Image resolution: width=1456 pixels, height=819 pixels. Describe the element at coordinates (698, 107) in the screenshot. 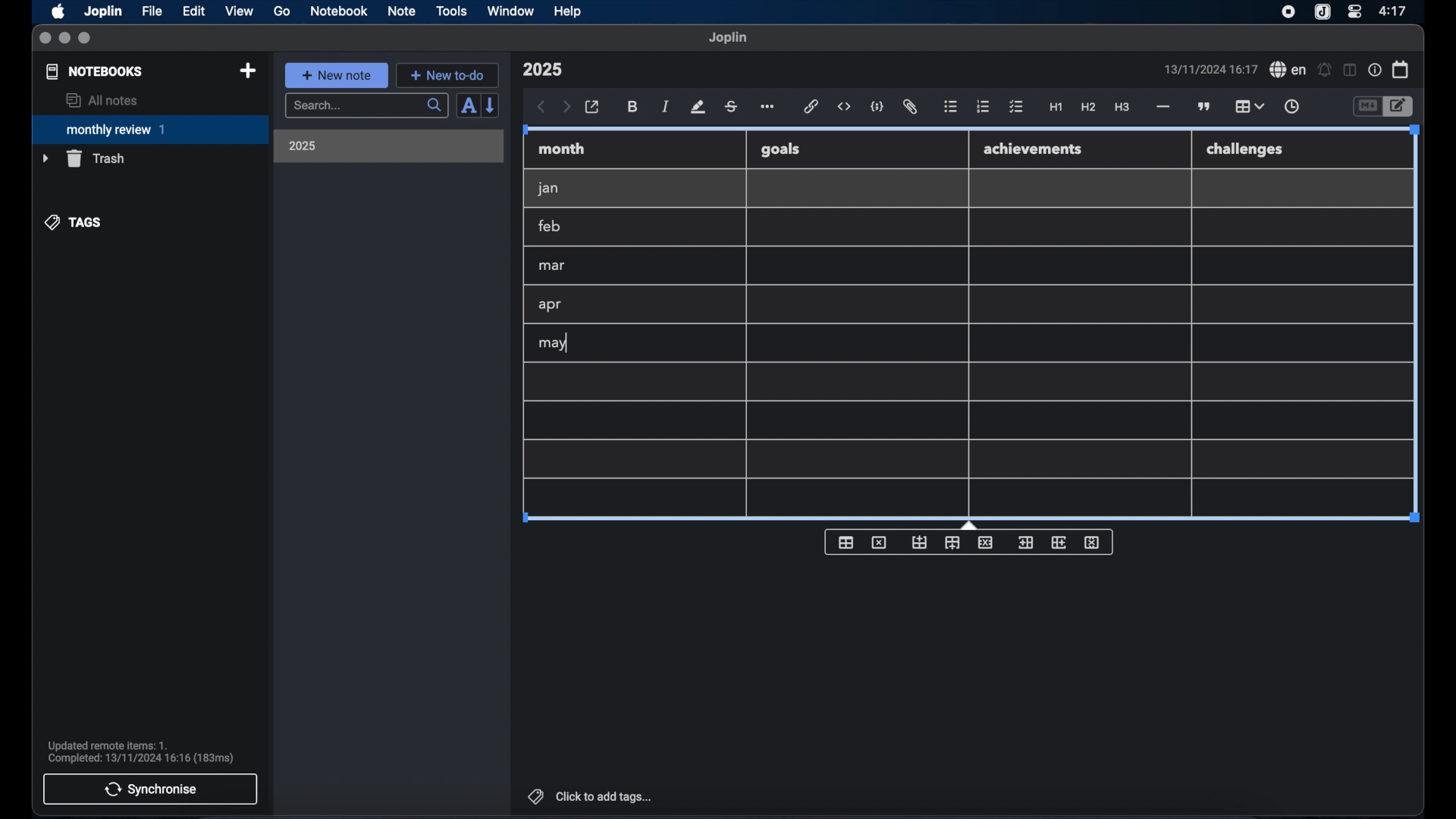

I see `highlight` at that location.